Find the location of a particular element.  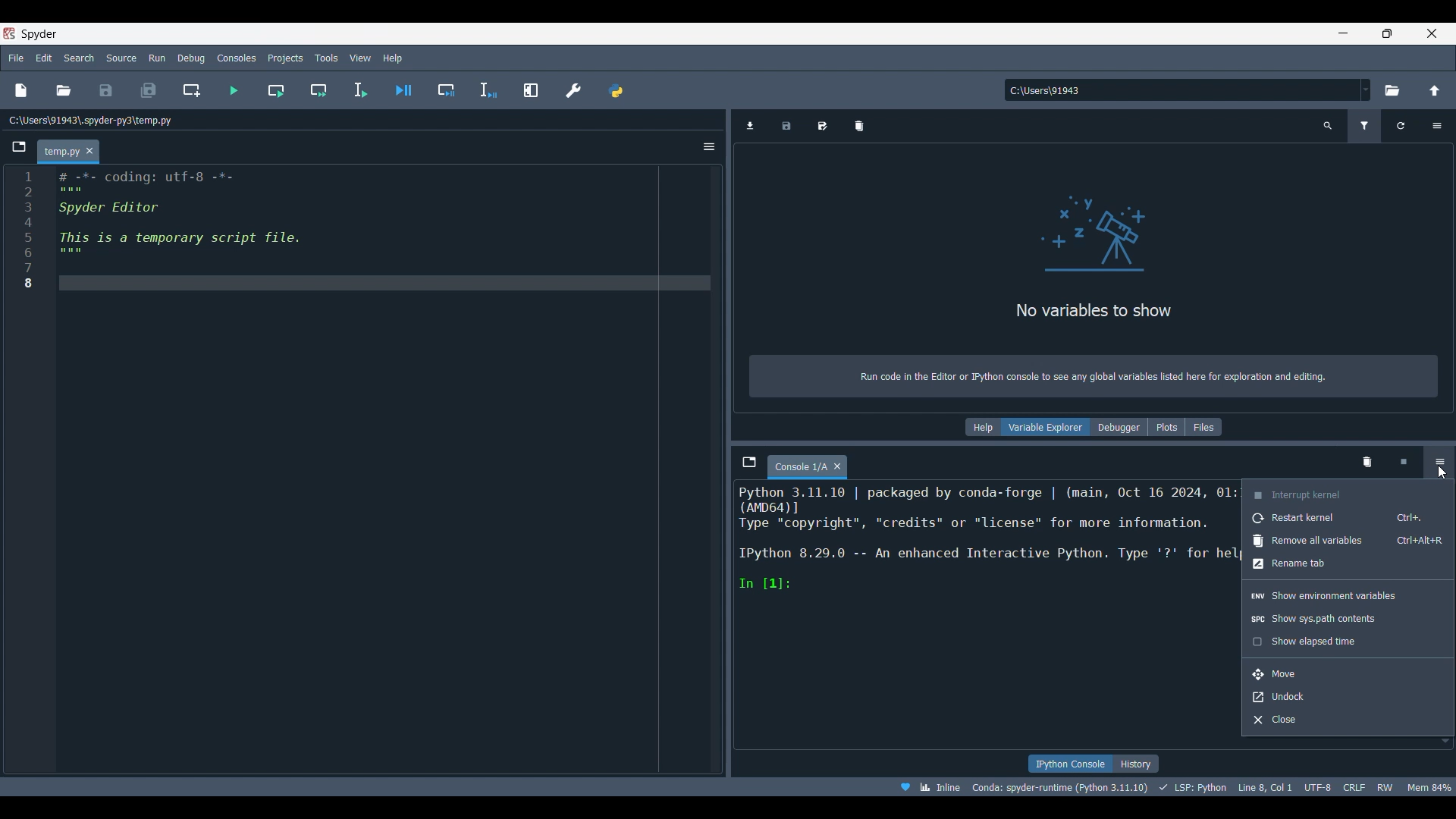

Debug selection or current line is located at coordinates (488, 90).